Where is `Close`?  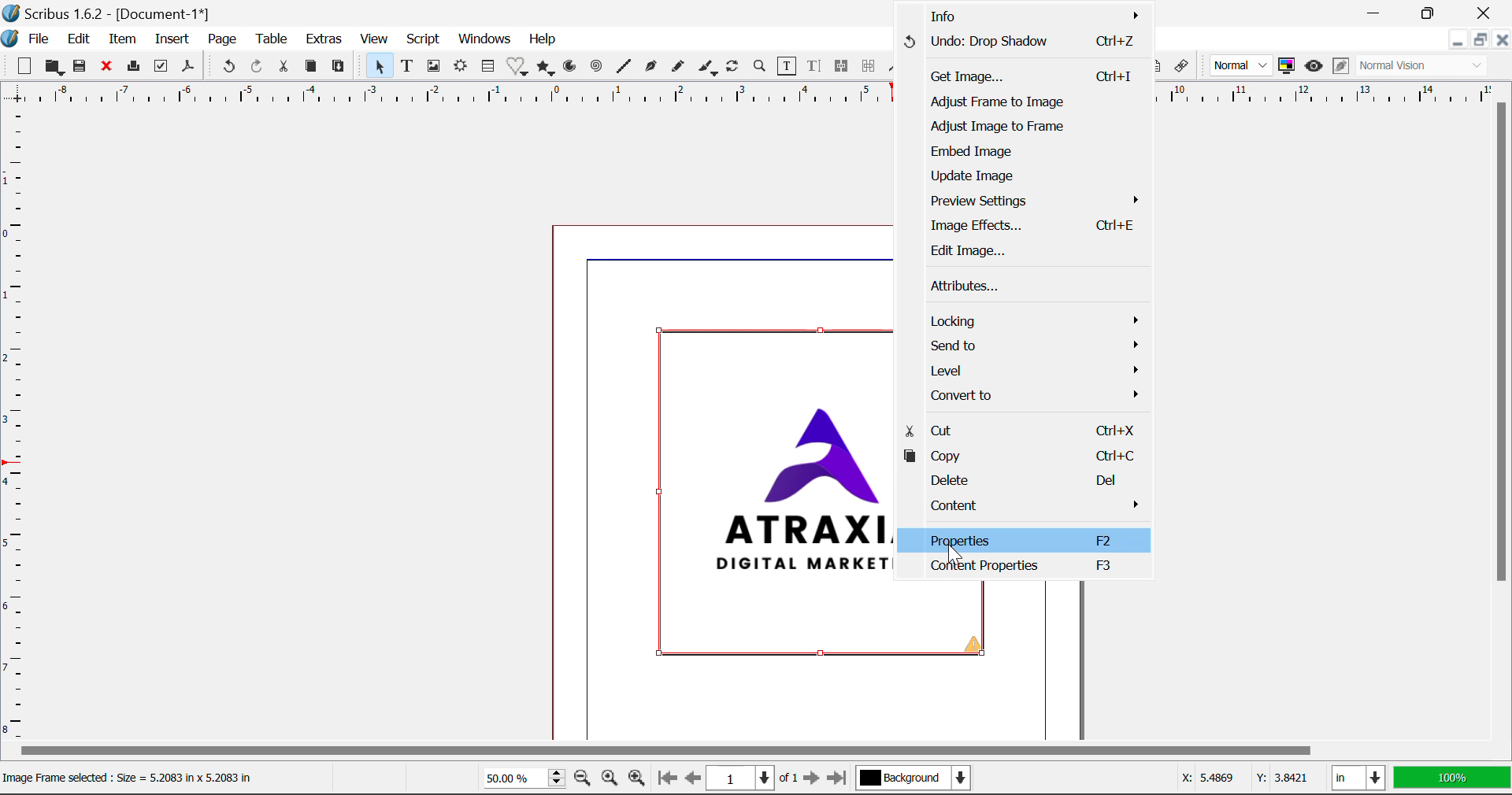 Close is located at coordinates (1484, 11).